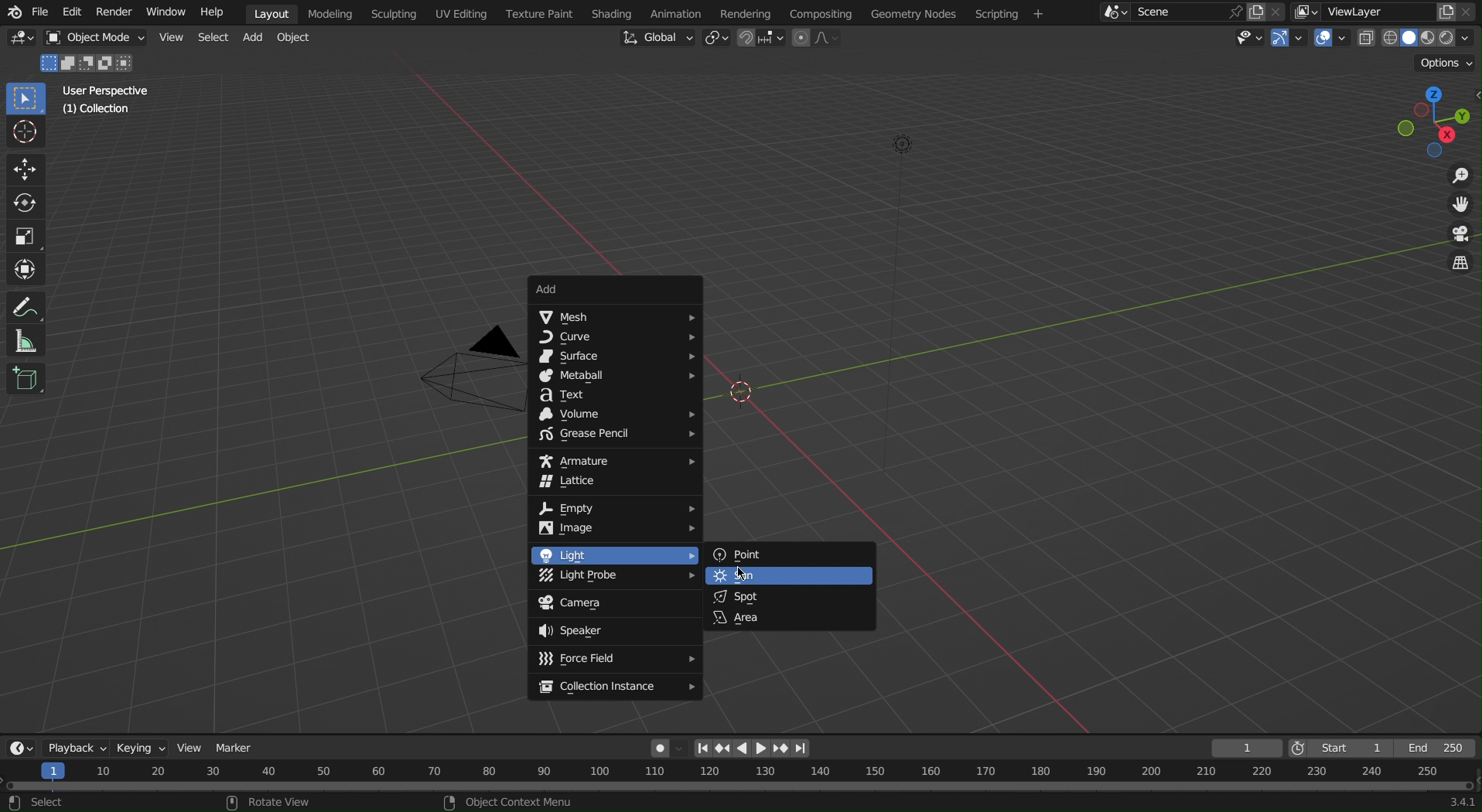 The width and height of the screenshot is (1482, 812). What do you see at coordinates (744, 12) in the screenshot?
I see `Rendering` at bounding box center [744, 12].